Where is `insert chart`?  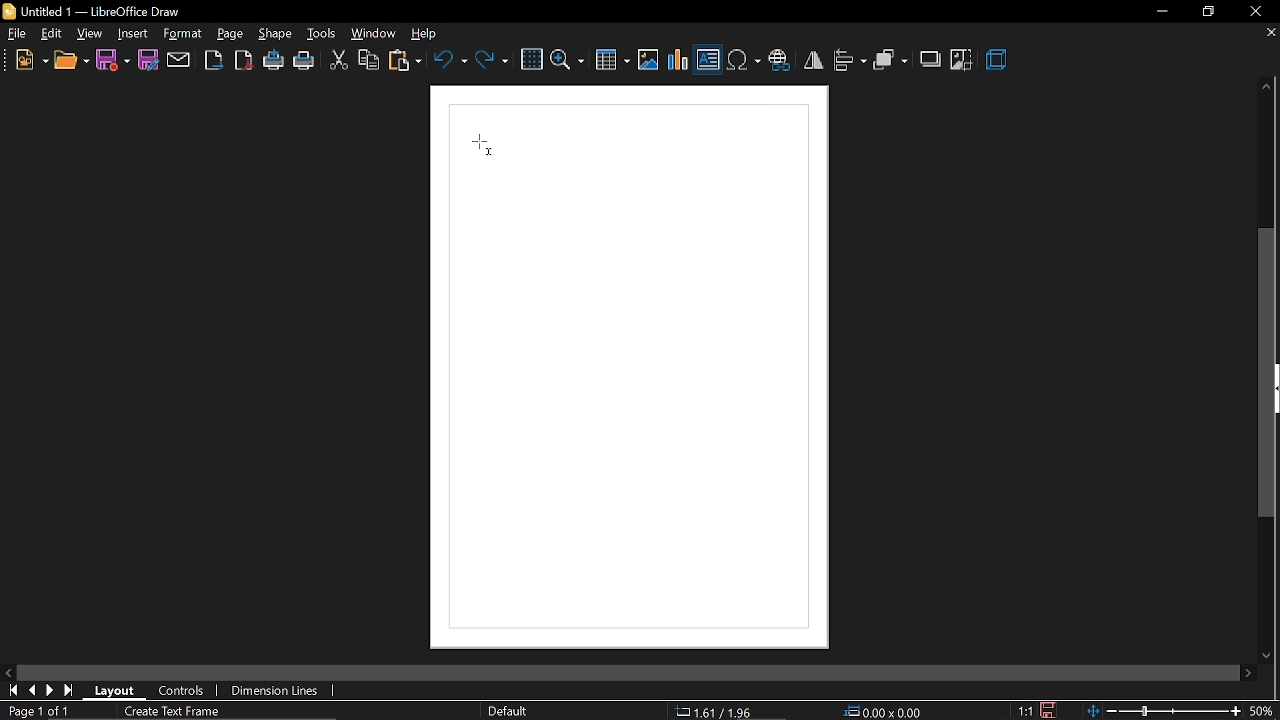 insert chart is located at coordinates (679, 60).